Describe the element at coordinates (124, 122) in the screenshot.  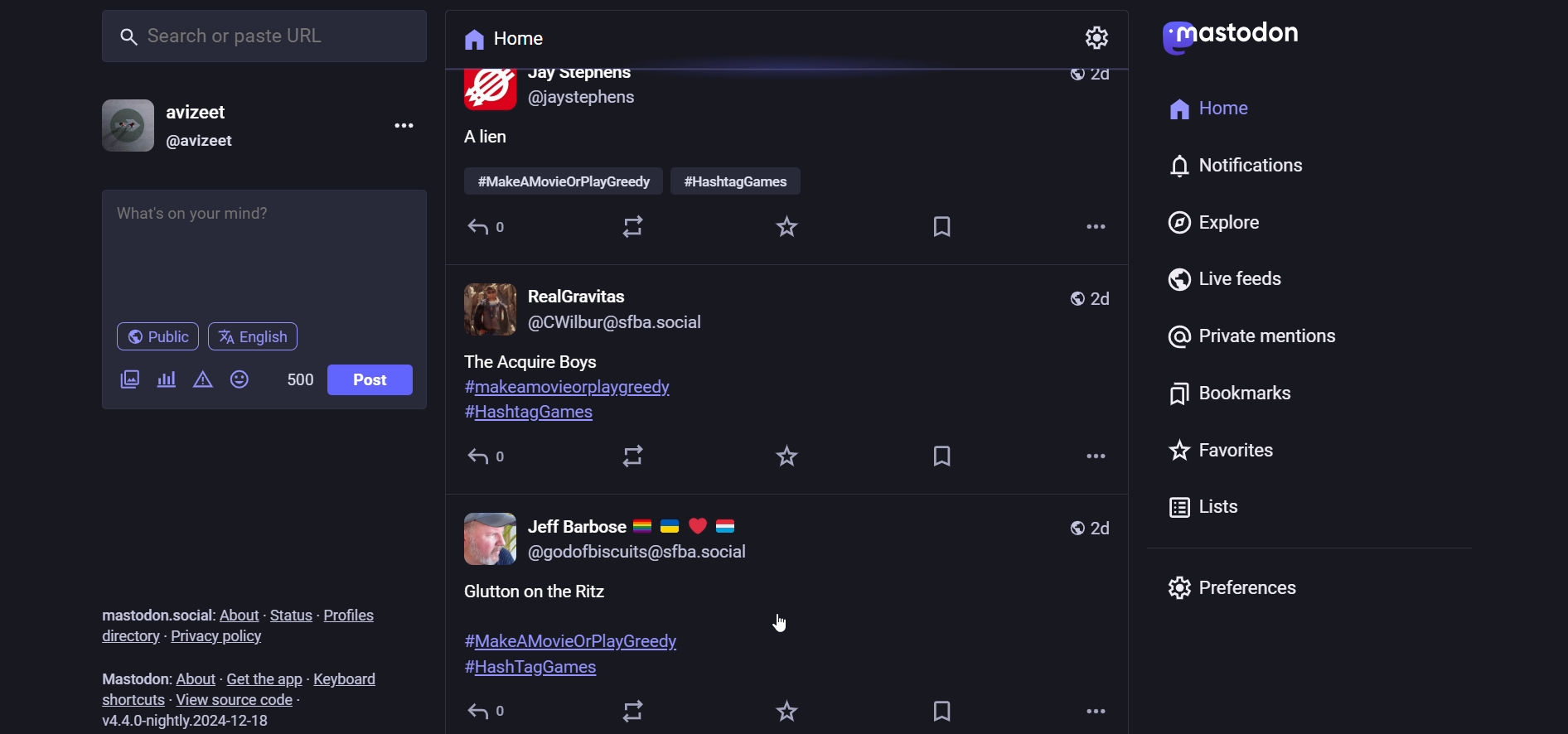
I see `profile picture` at that location.